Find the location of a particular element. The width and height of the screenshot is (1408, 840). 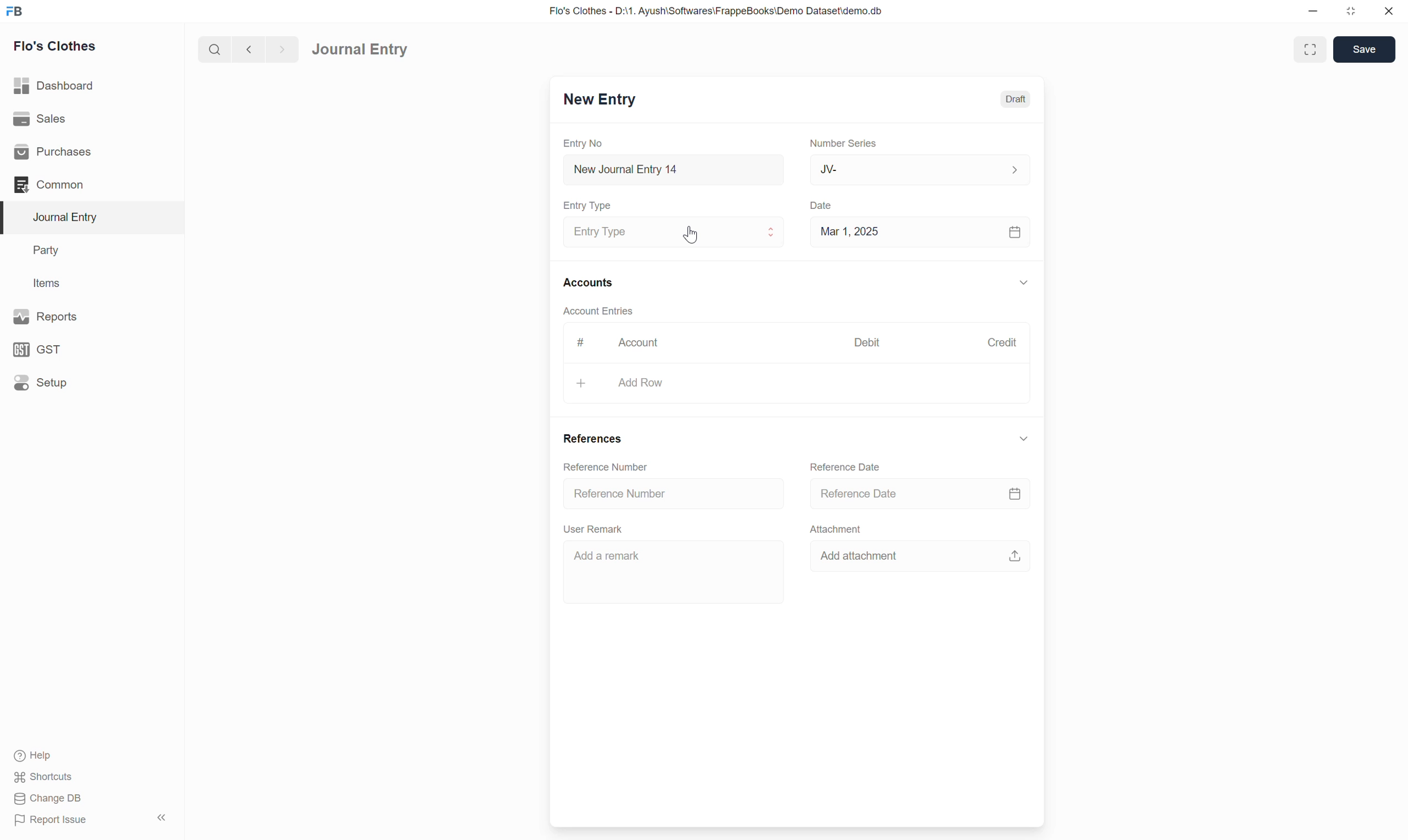

Flo's Clothes is located at coordinates (57, 46).